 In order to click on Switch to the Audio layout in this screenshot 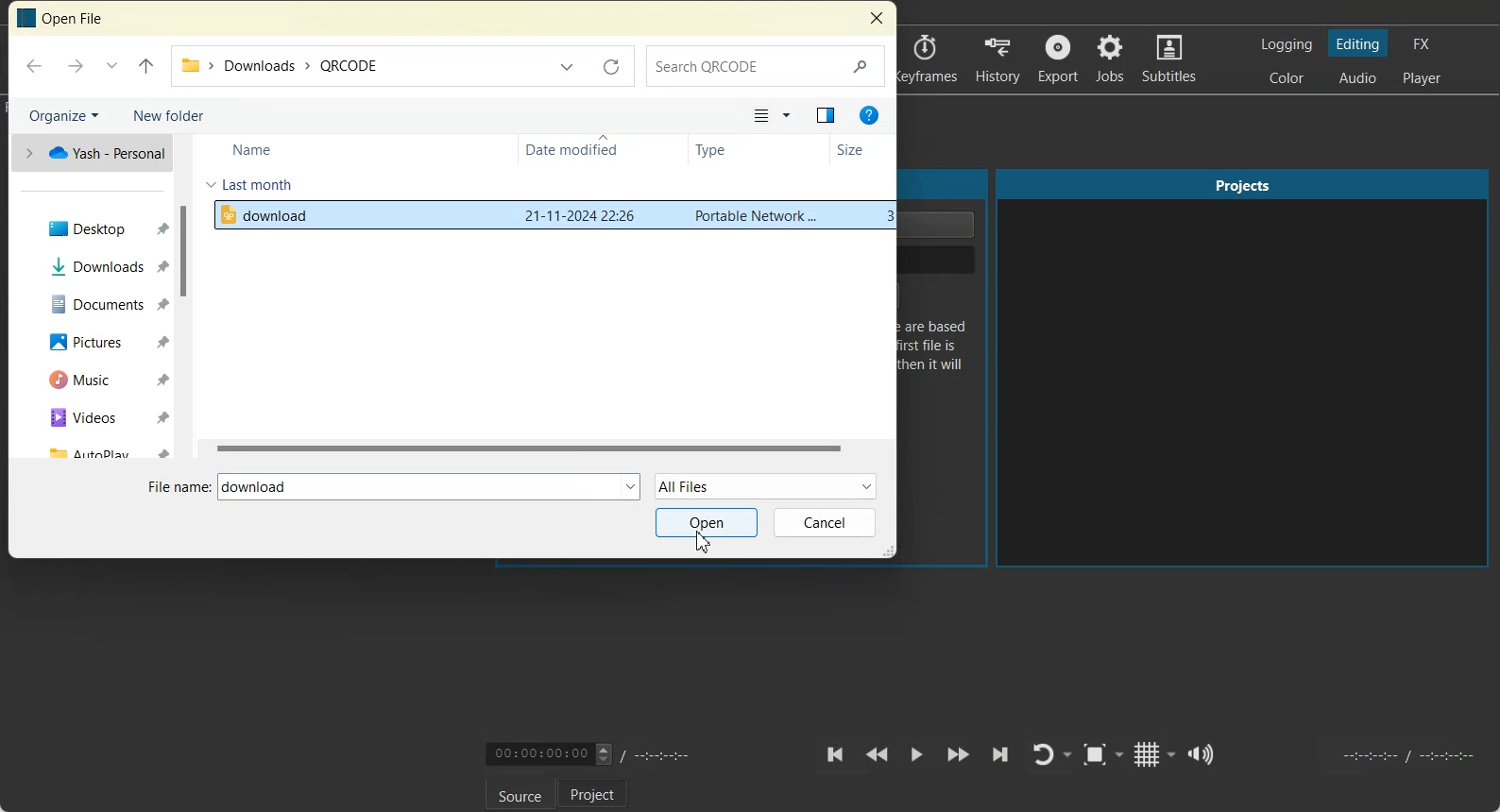, I will do `click(1357, 77)`.